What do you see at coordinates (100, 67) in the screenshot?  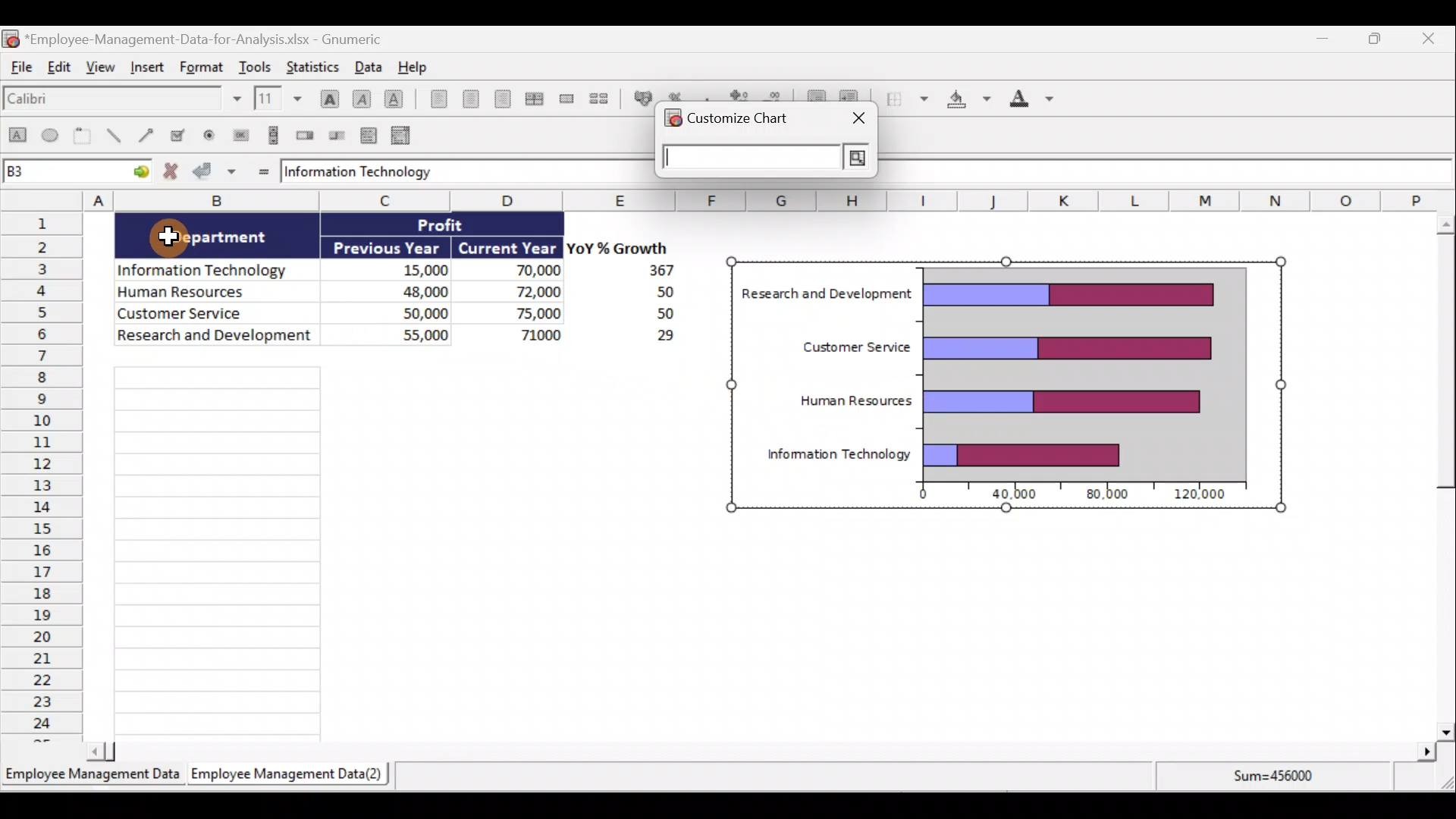 I see `View` at bounding box center [100, 67].